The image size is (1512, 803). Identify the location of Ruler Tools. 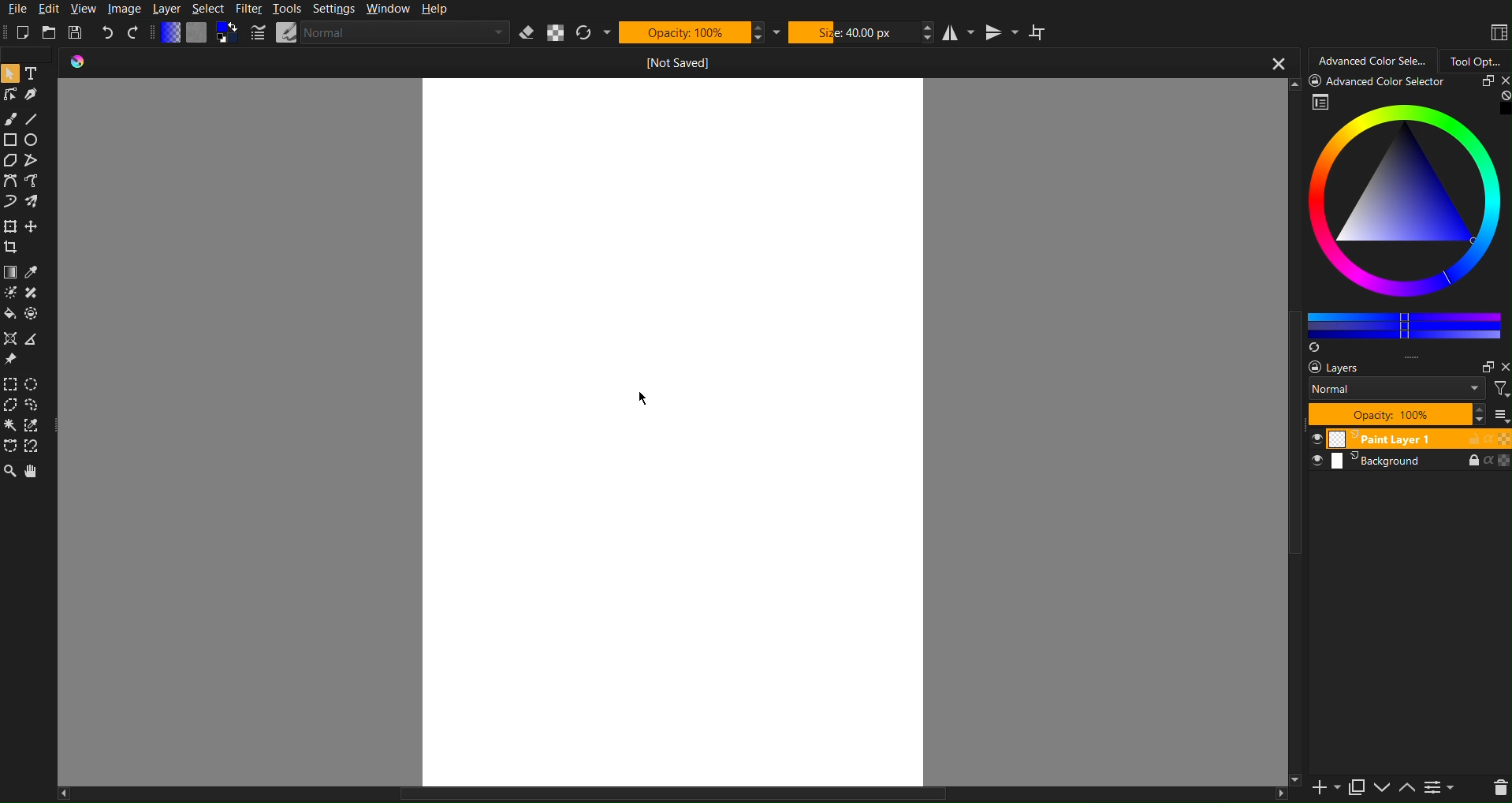
(25, 349).